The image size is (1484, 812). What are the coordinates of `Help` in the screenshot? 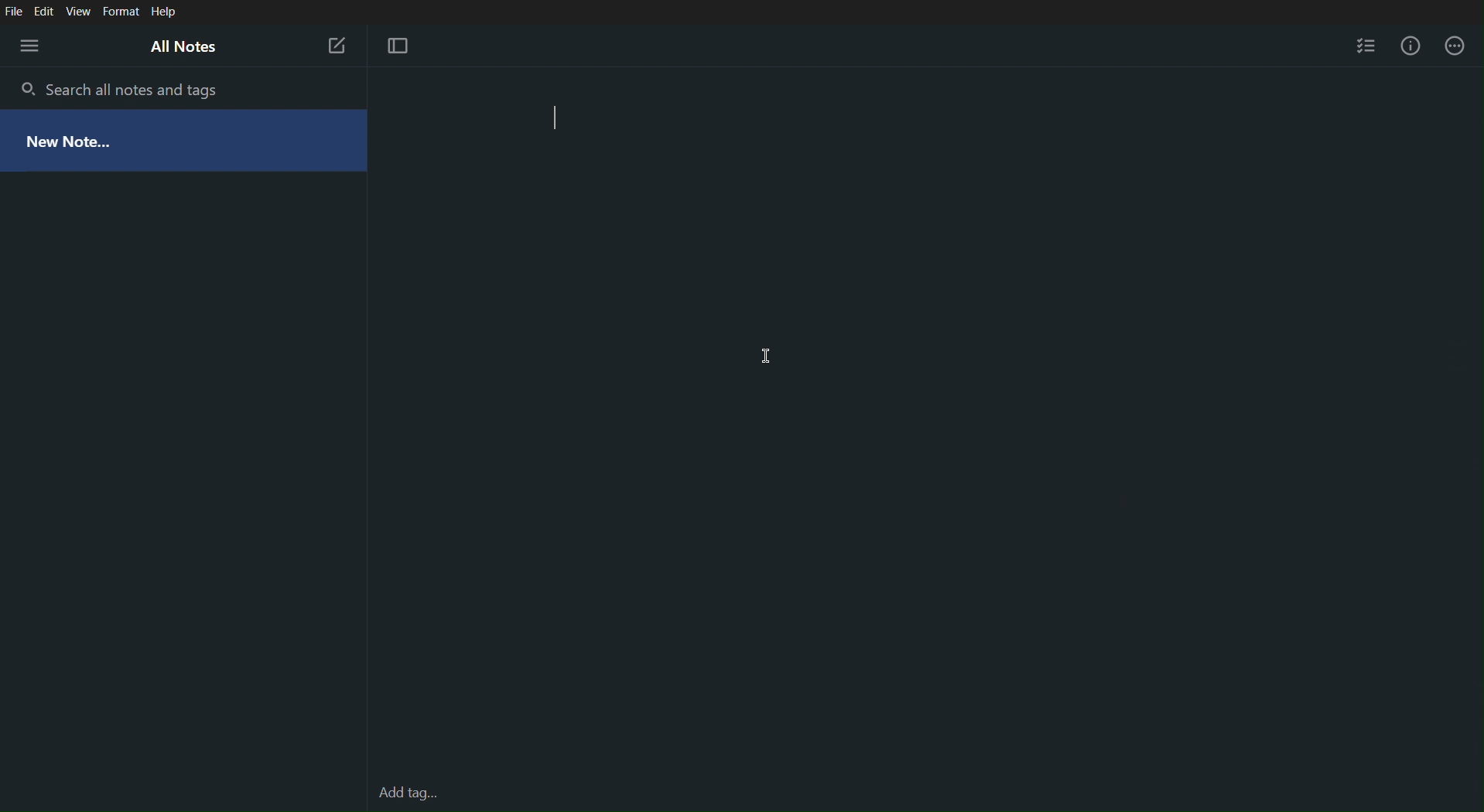 It's located at (164, 12).